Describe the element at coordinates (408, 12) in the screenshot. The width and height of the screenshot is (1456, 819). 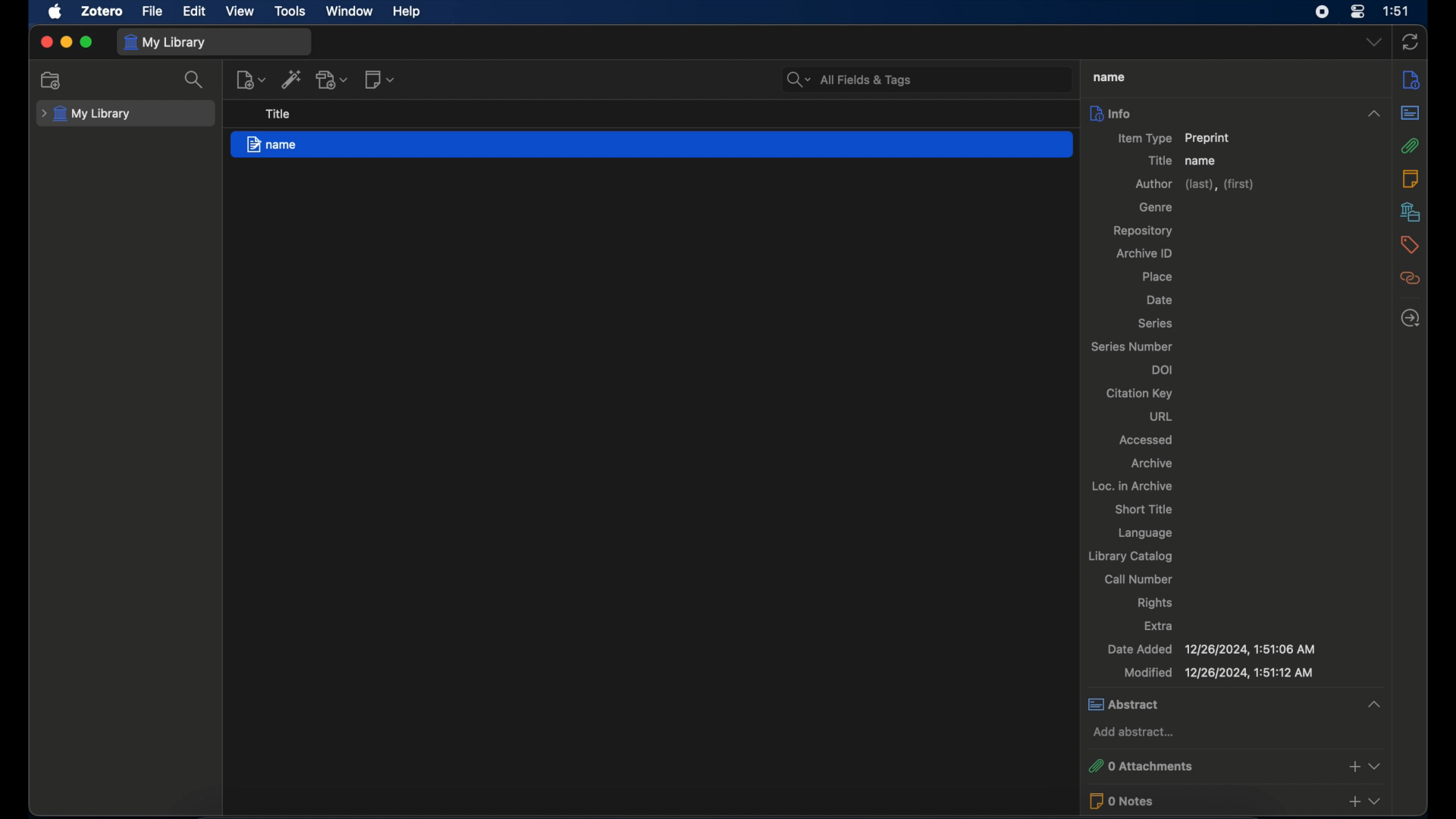
I see `help` at that location.